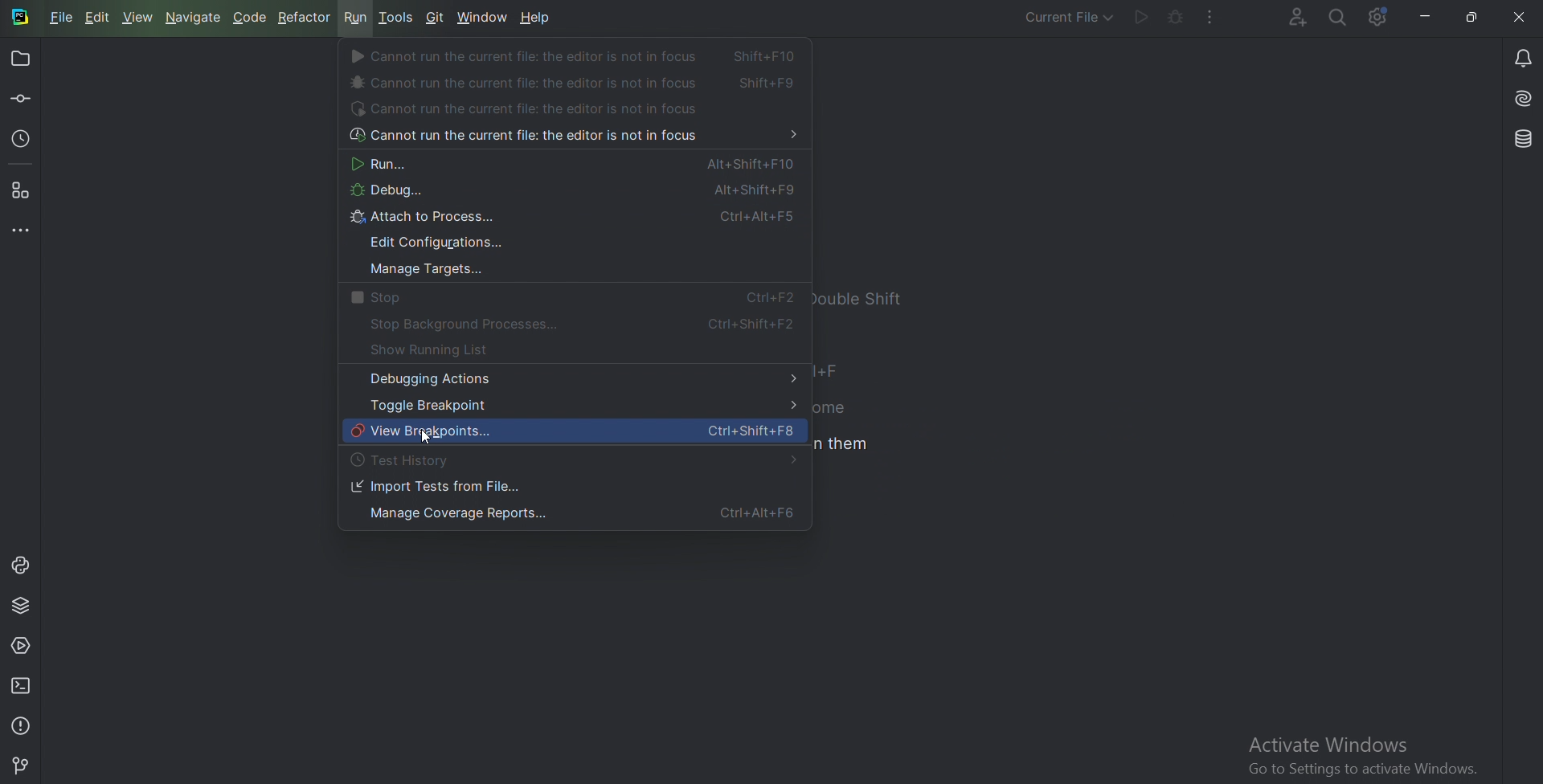  Describe the element at coordinates (437, 488) in the screenshot. I see `Import tests from file` at that location.